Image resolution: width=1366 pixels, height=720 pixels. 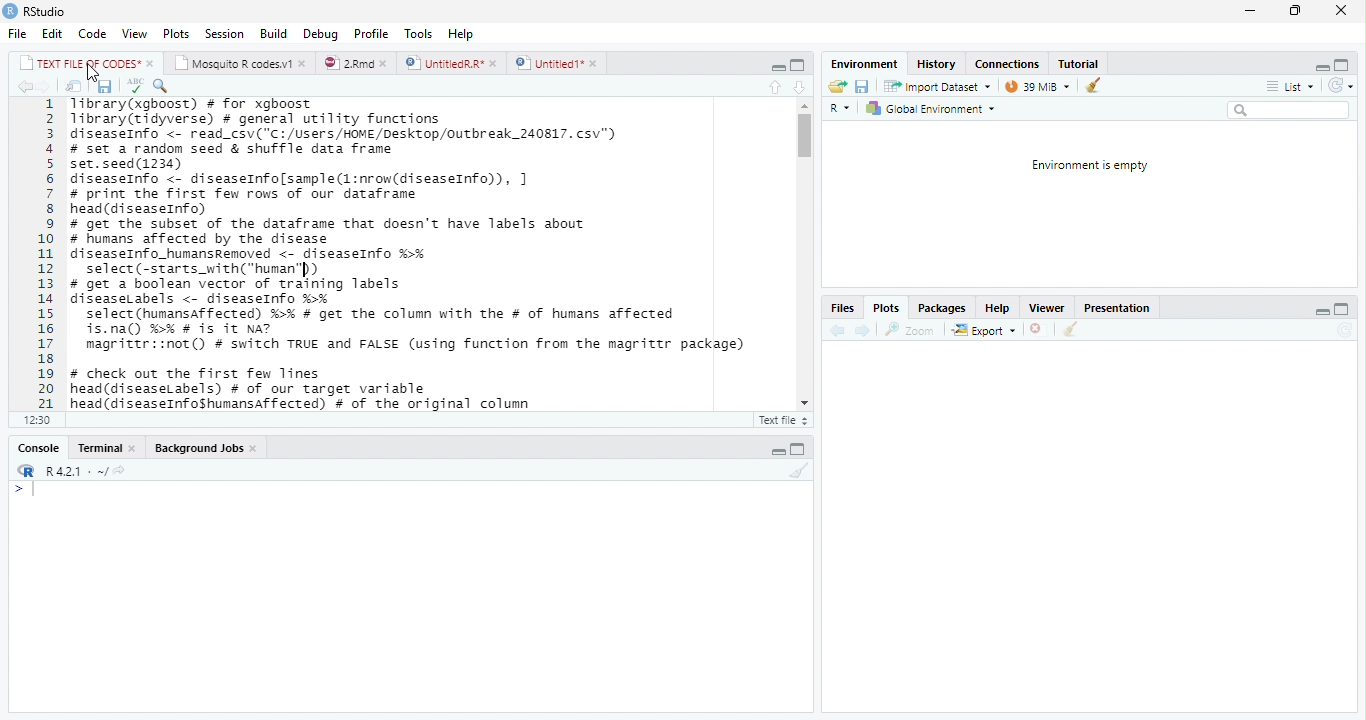 I want to click on Search, so click(x=1288, y=110).